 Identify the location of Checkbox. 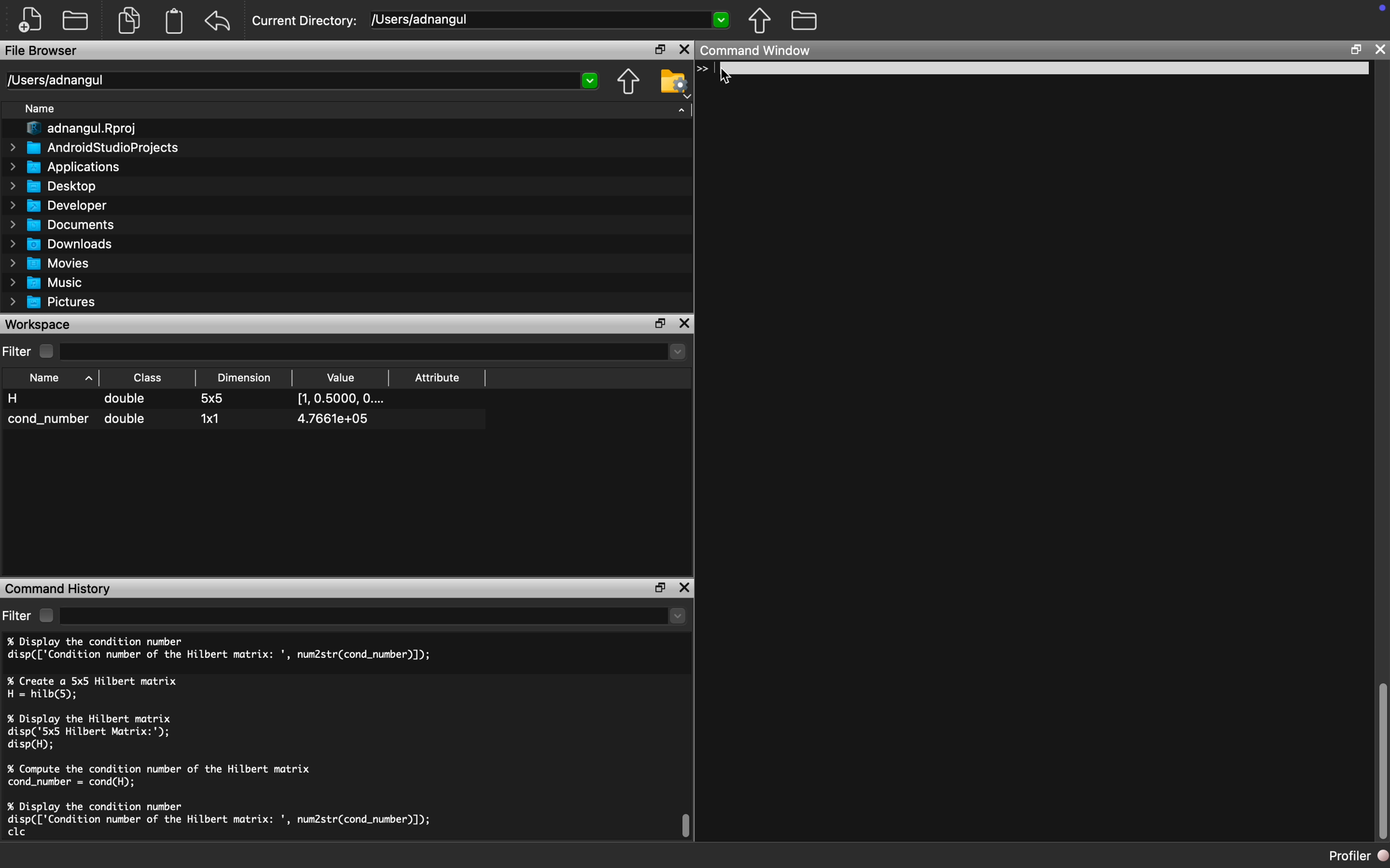
(46, 615).